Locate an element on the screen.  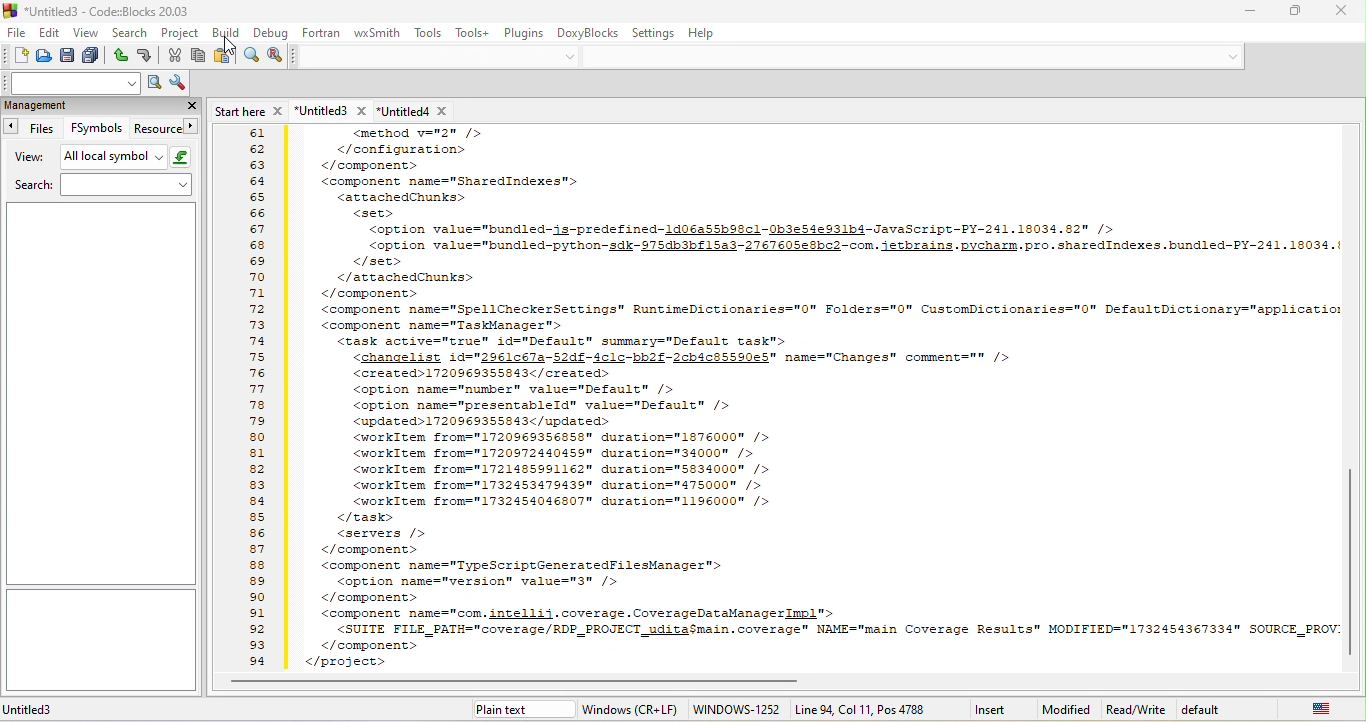
save everything is located at coordinates (94, 55).